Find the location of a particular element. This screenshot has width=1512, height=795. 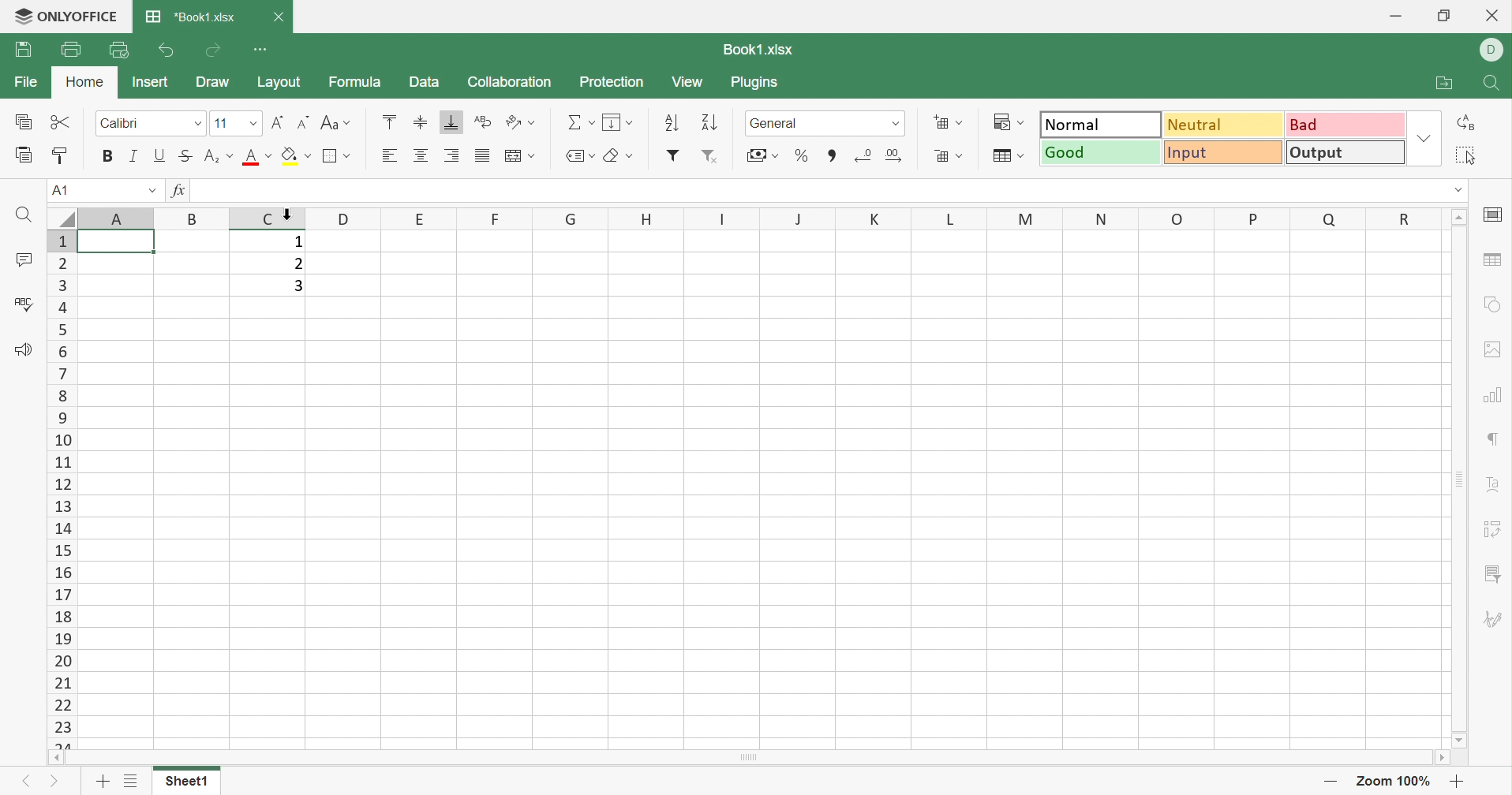

Superscript/Subscript is located at coordinates (211, 156).